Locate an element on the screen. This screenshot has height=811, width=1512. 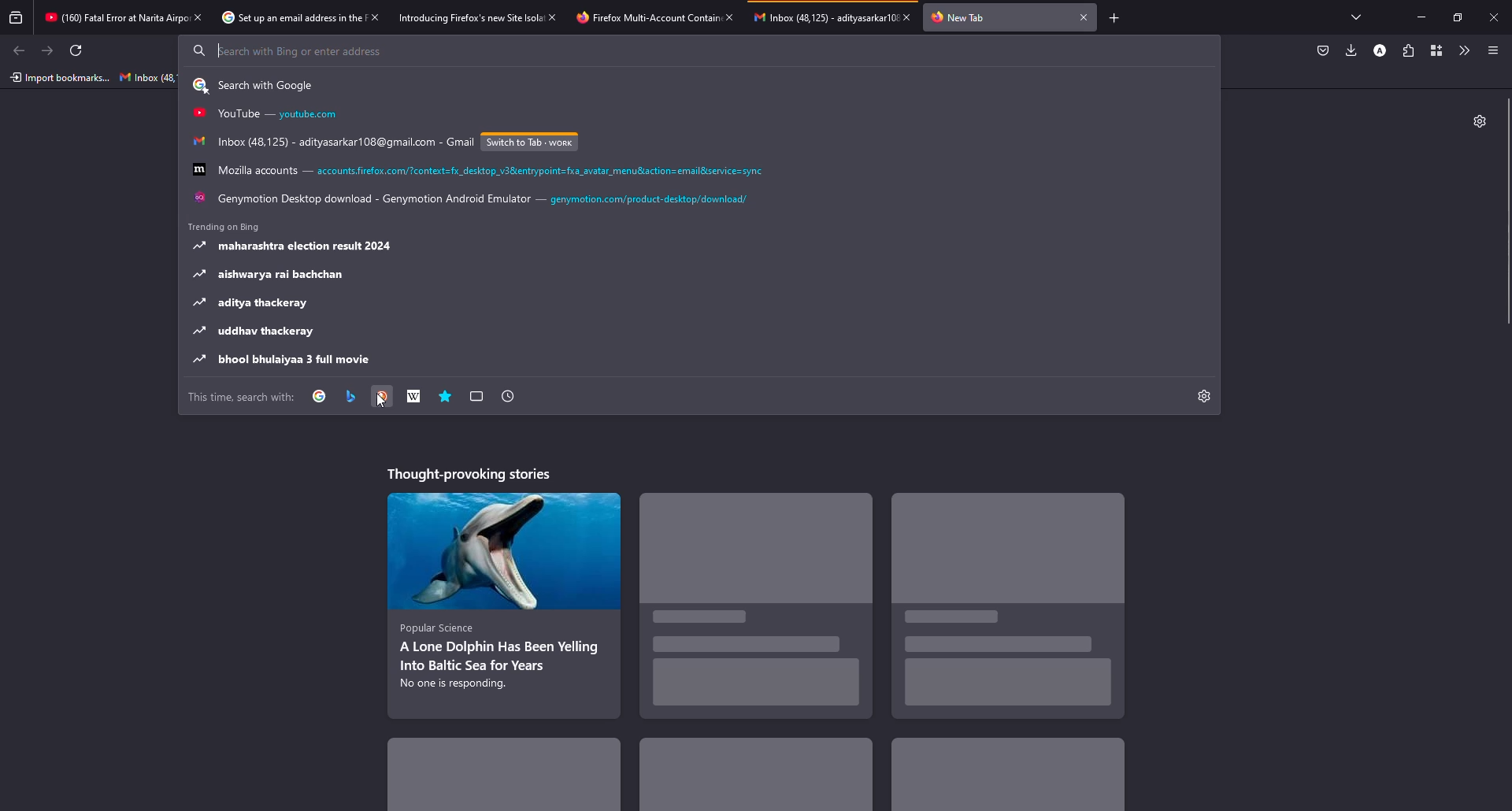
search options is located at coordinates (332, 142).